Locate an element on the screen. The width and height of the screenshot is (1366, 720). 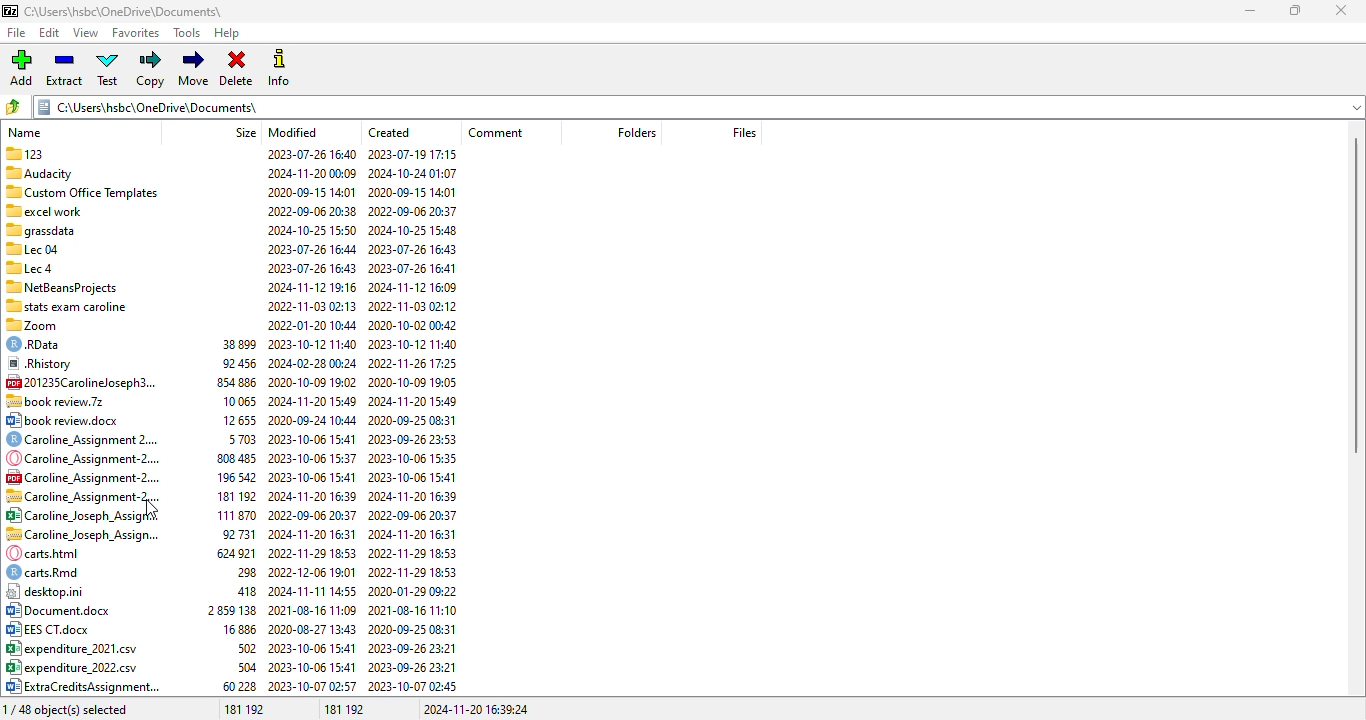
folder name is located at coordinates (123, 11).